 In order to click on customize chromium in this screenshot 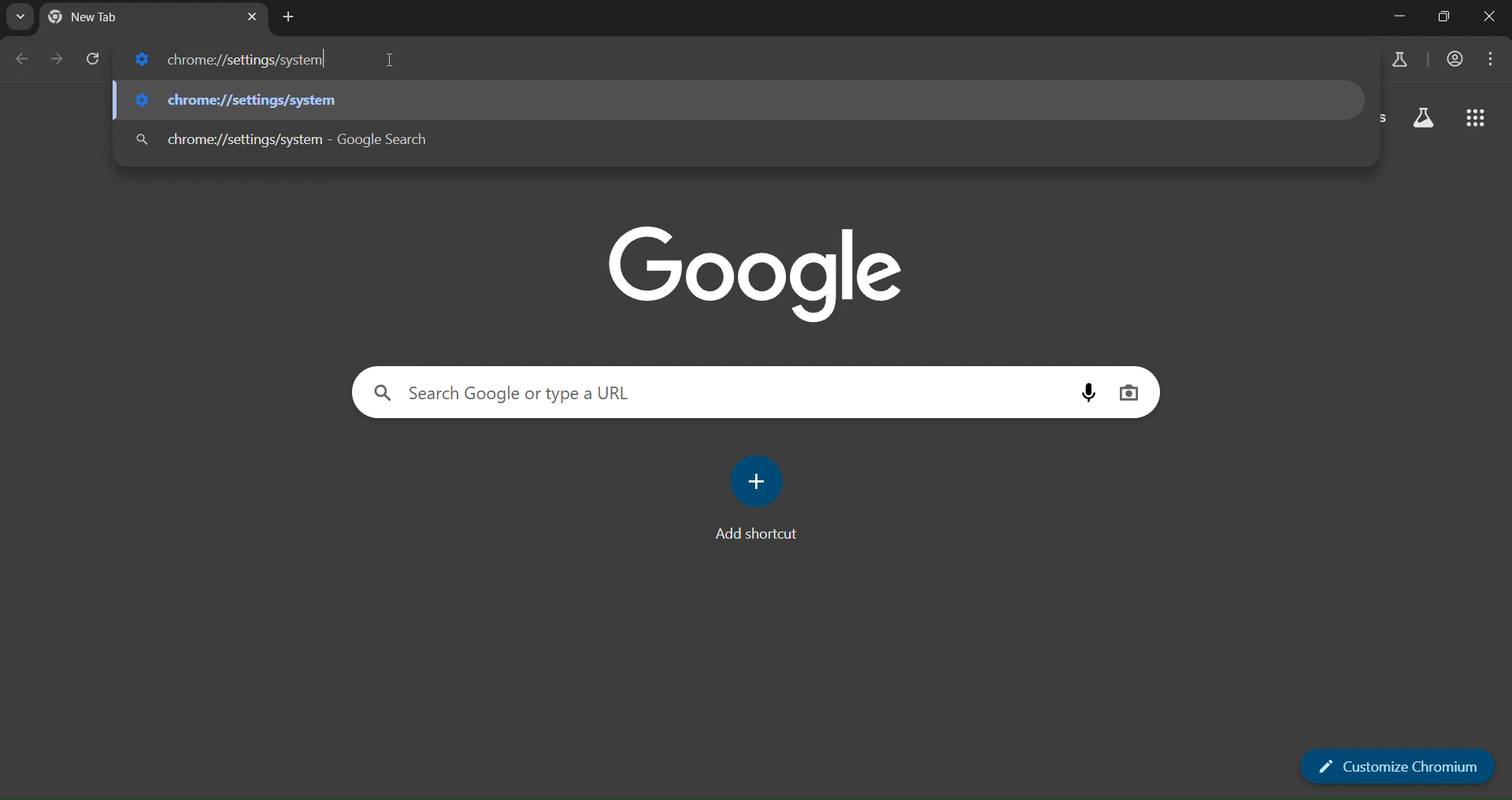, I will do `click(1399, 765)`.